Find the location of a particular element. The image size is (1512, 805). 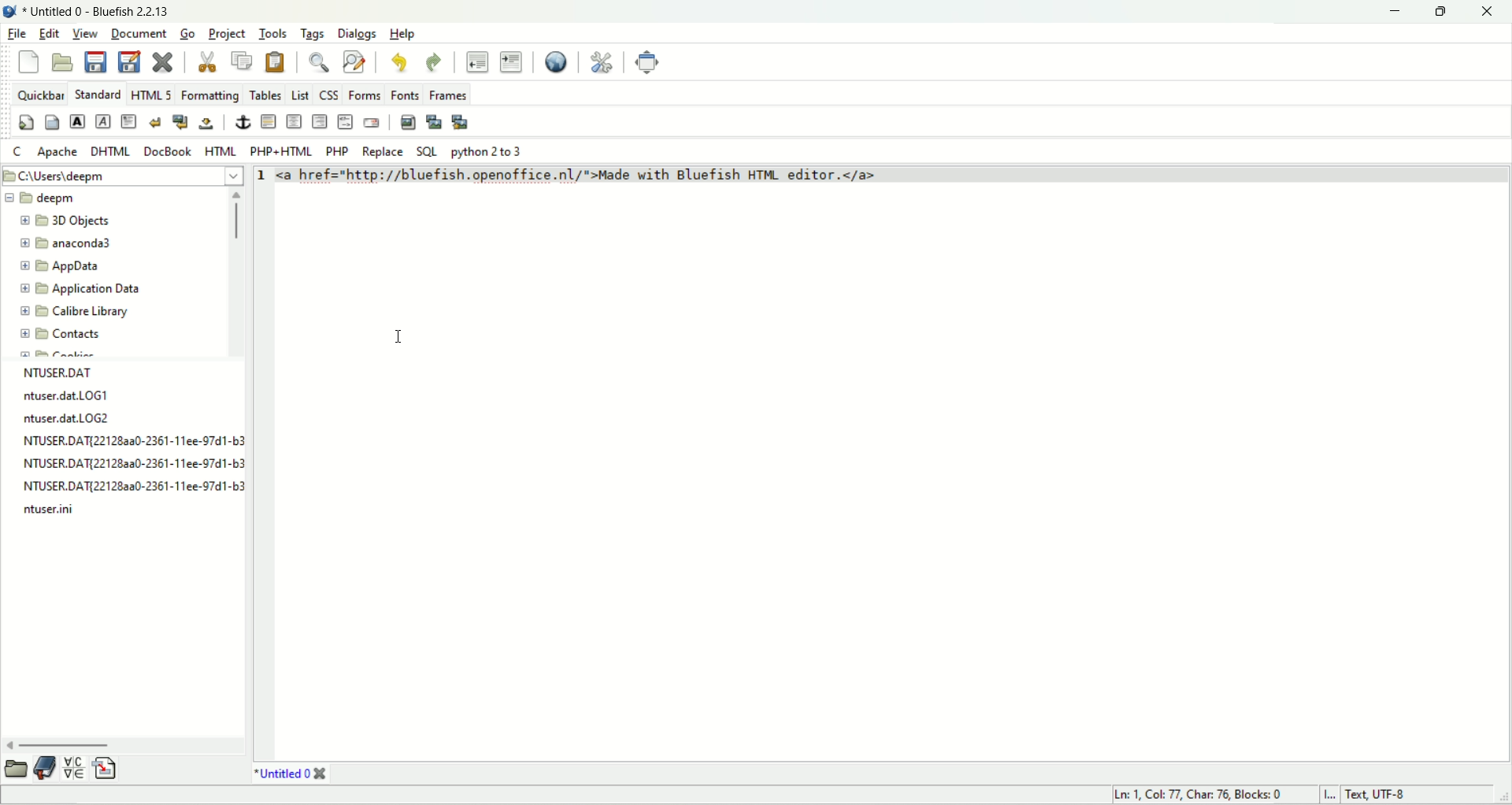

dialogs is located at coordinates (358, 34).